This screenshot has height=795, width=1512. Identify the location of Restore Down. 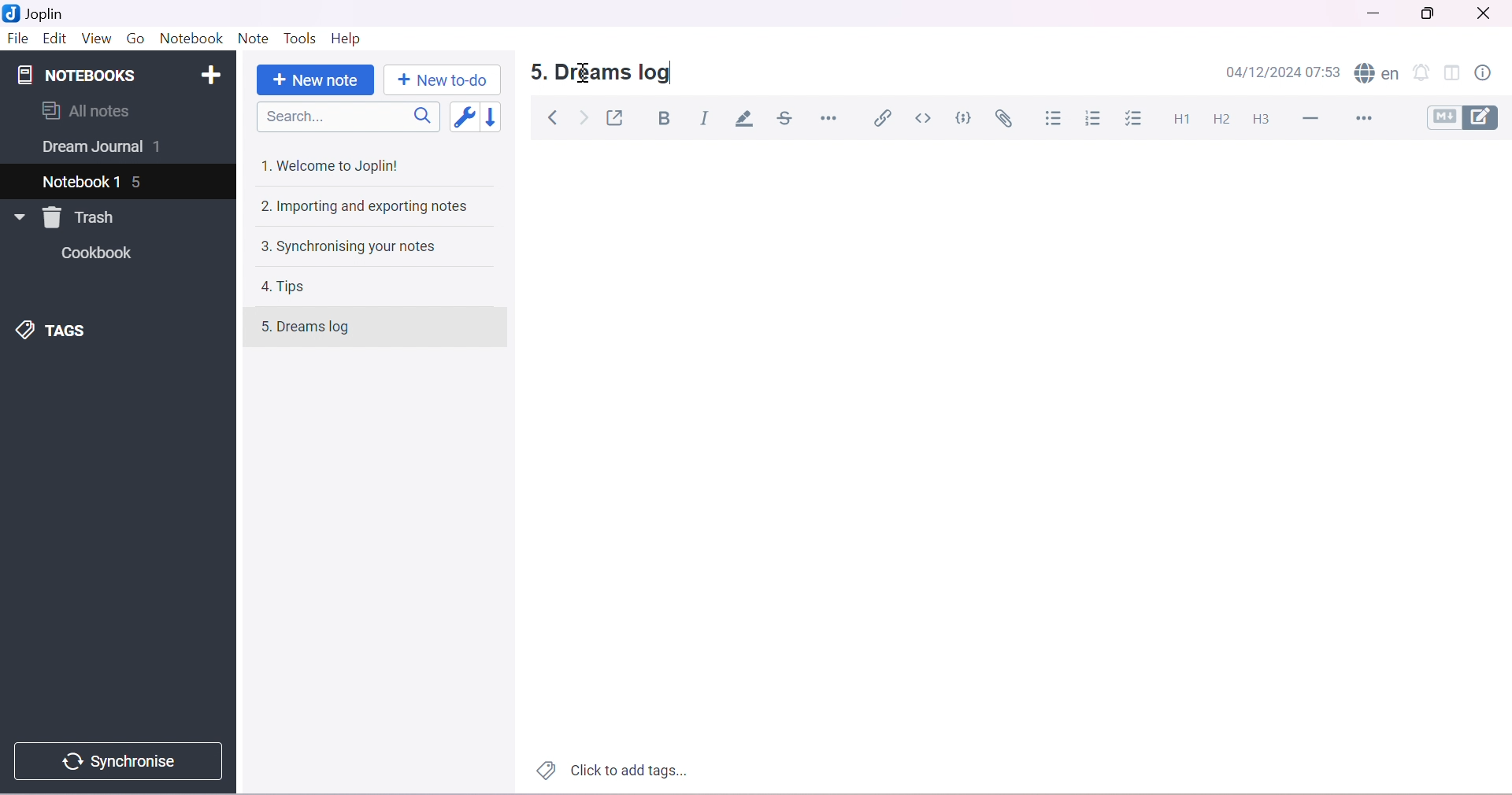
(1434, 13).